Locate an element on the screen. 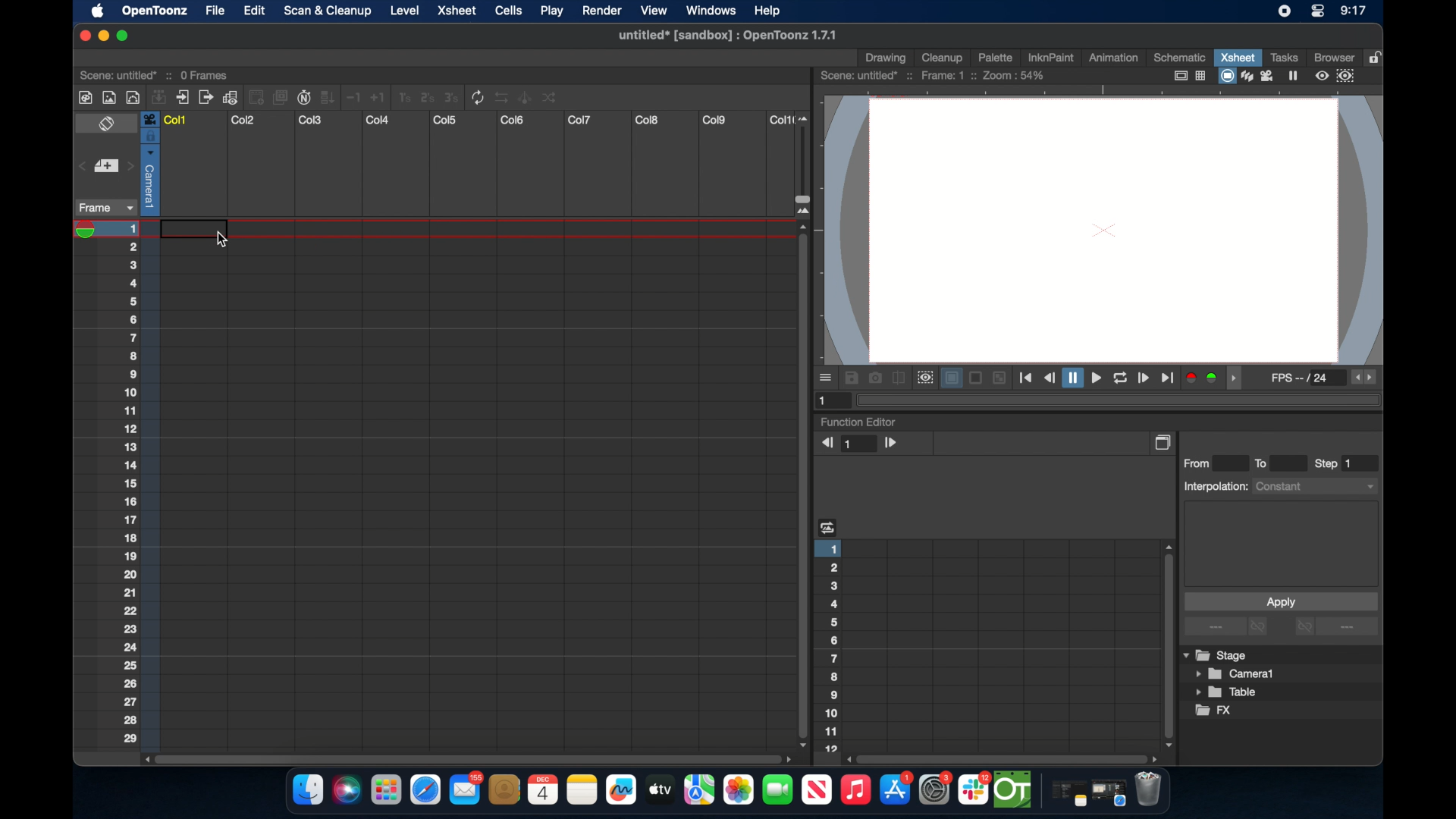  step is located at coordinates (1335, 463).